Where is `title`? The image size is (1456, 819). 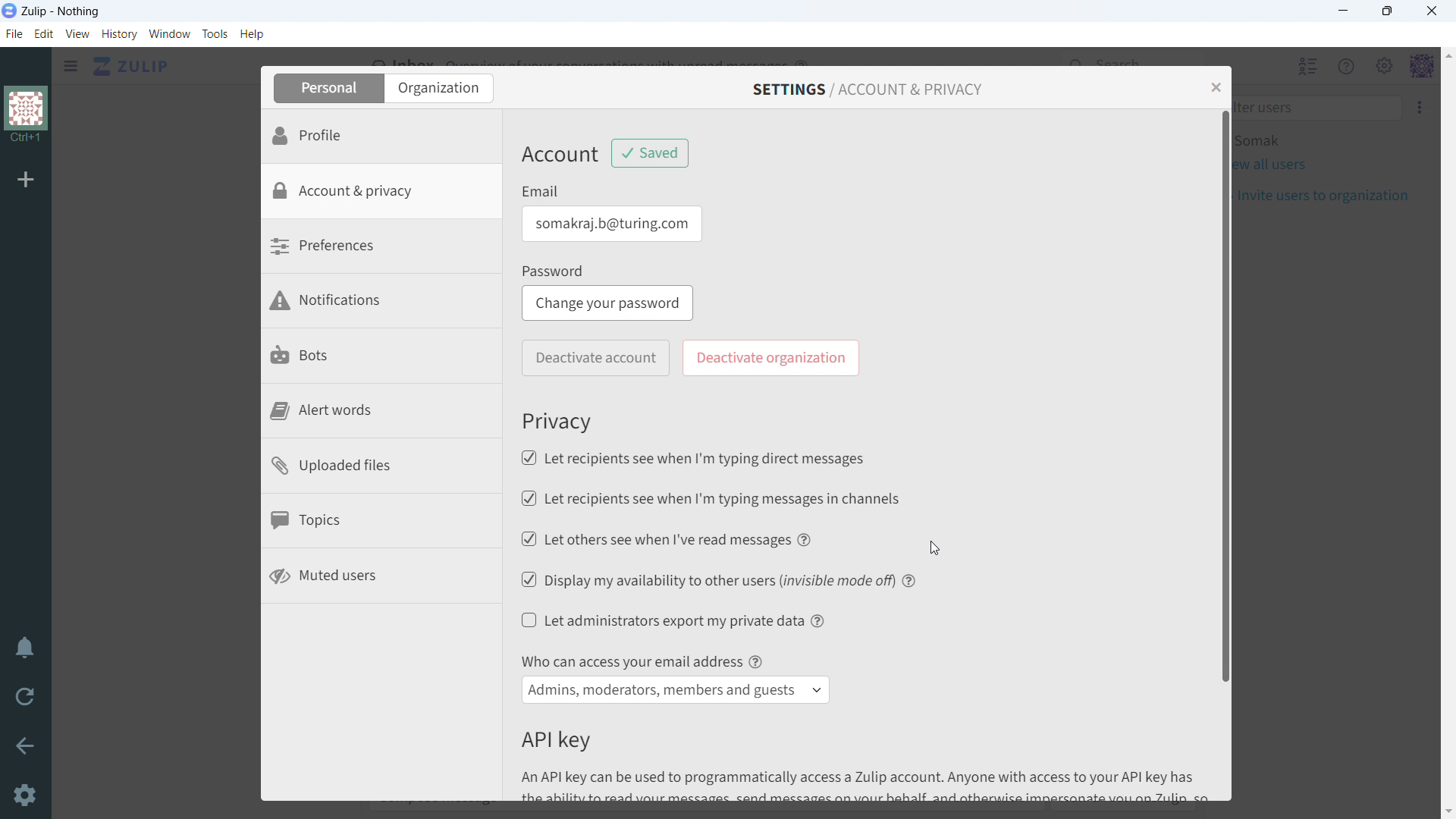 title is located at coordinates (61, 11).